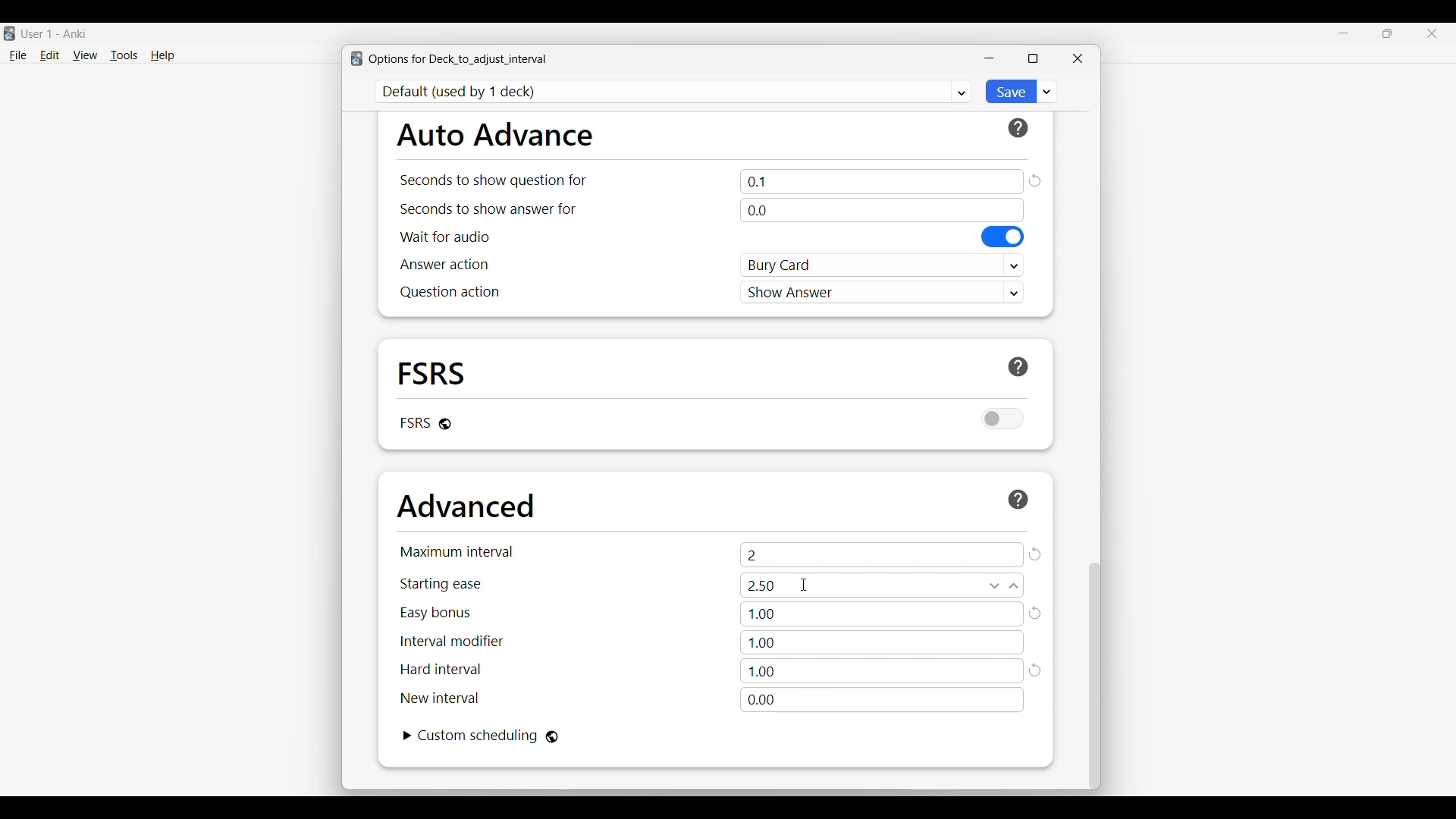 The image size is (1456, 819). I want to click on Click to close window, so click(1078, 58).